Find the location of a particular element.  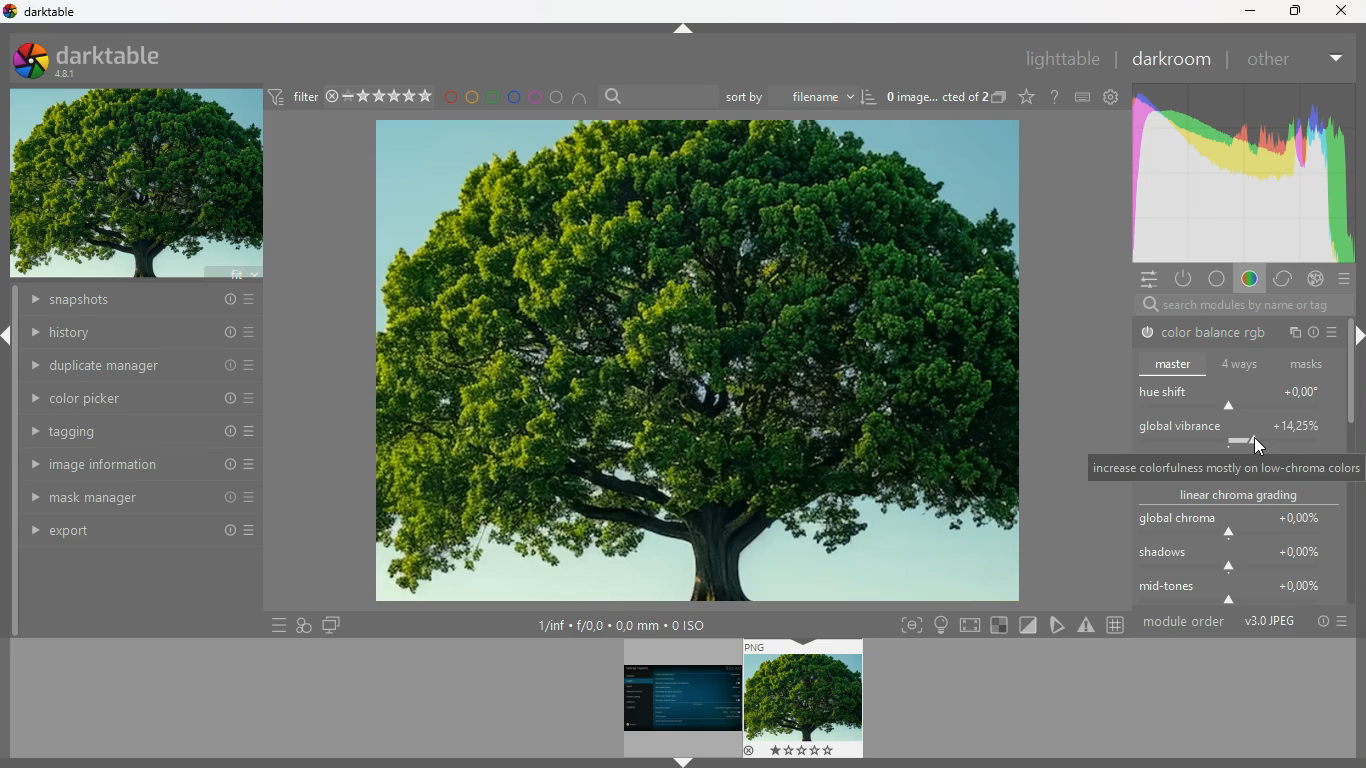

image information is located at coordinates (142, 465).